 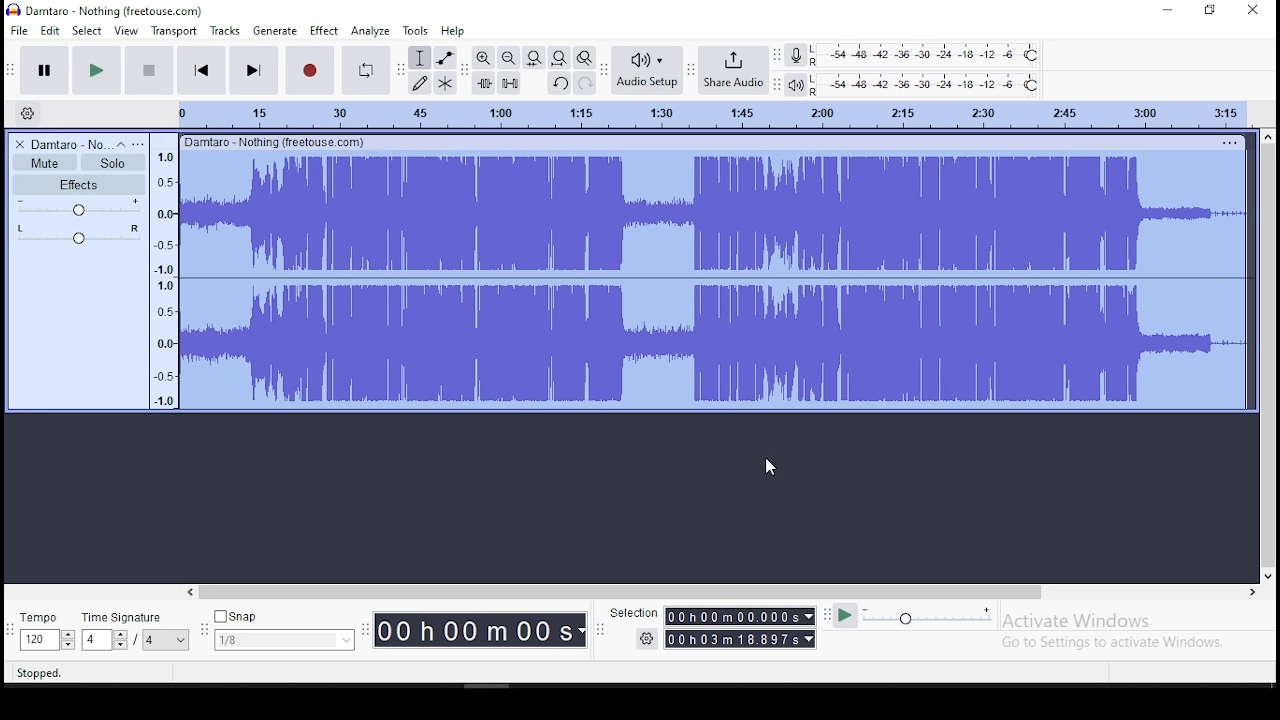 I want to click on undo, so click(x=558, y=83).